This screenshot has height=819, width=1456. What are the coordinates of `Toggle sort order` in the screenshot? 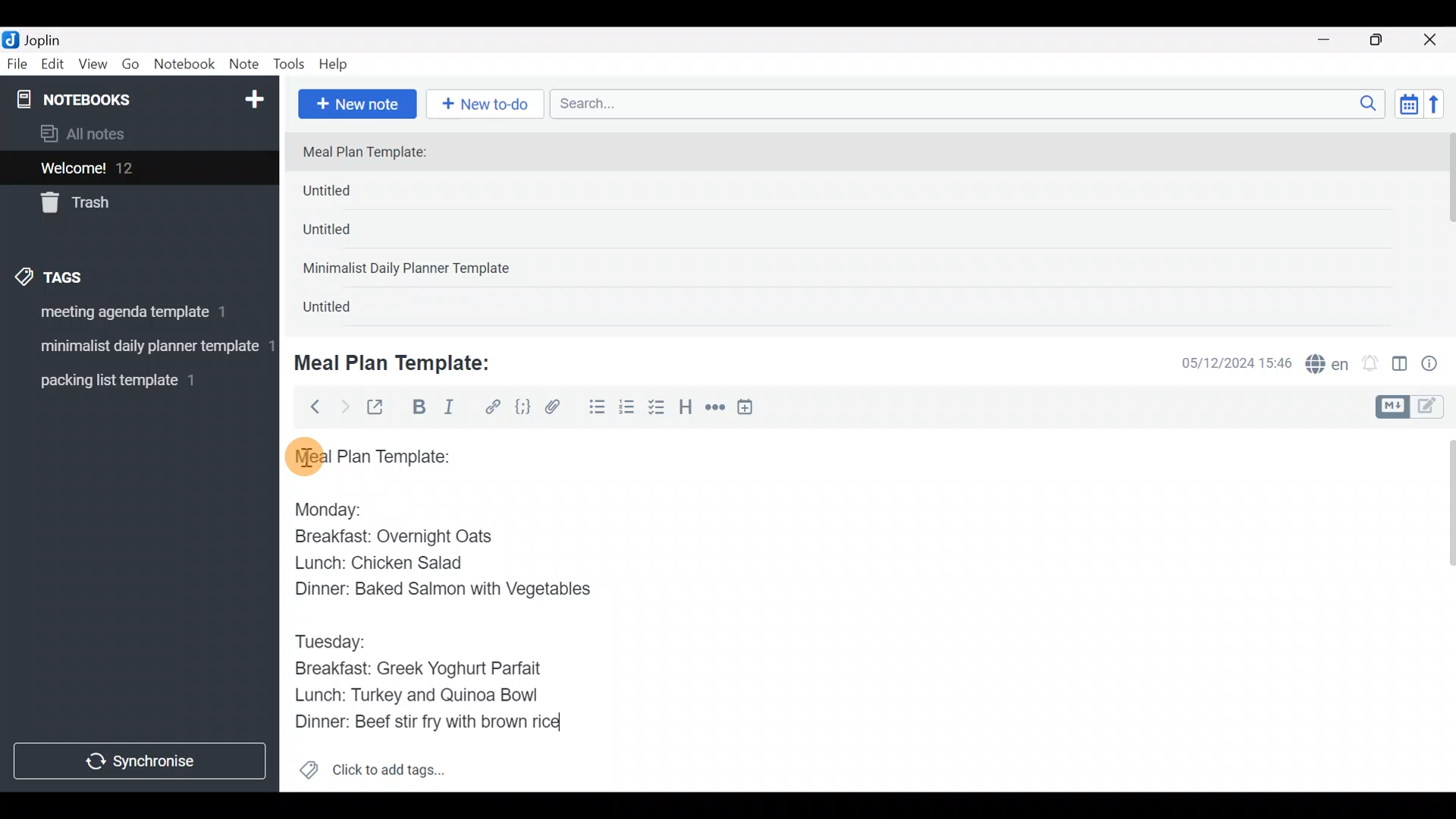 It's located at (1408, 105).